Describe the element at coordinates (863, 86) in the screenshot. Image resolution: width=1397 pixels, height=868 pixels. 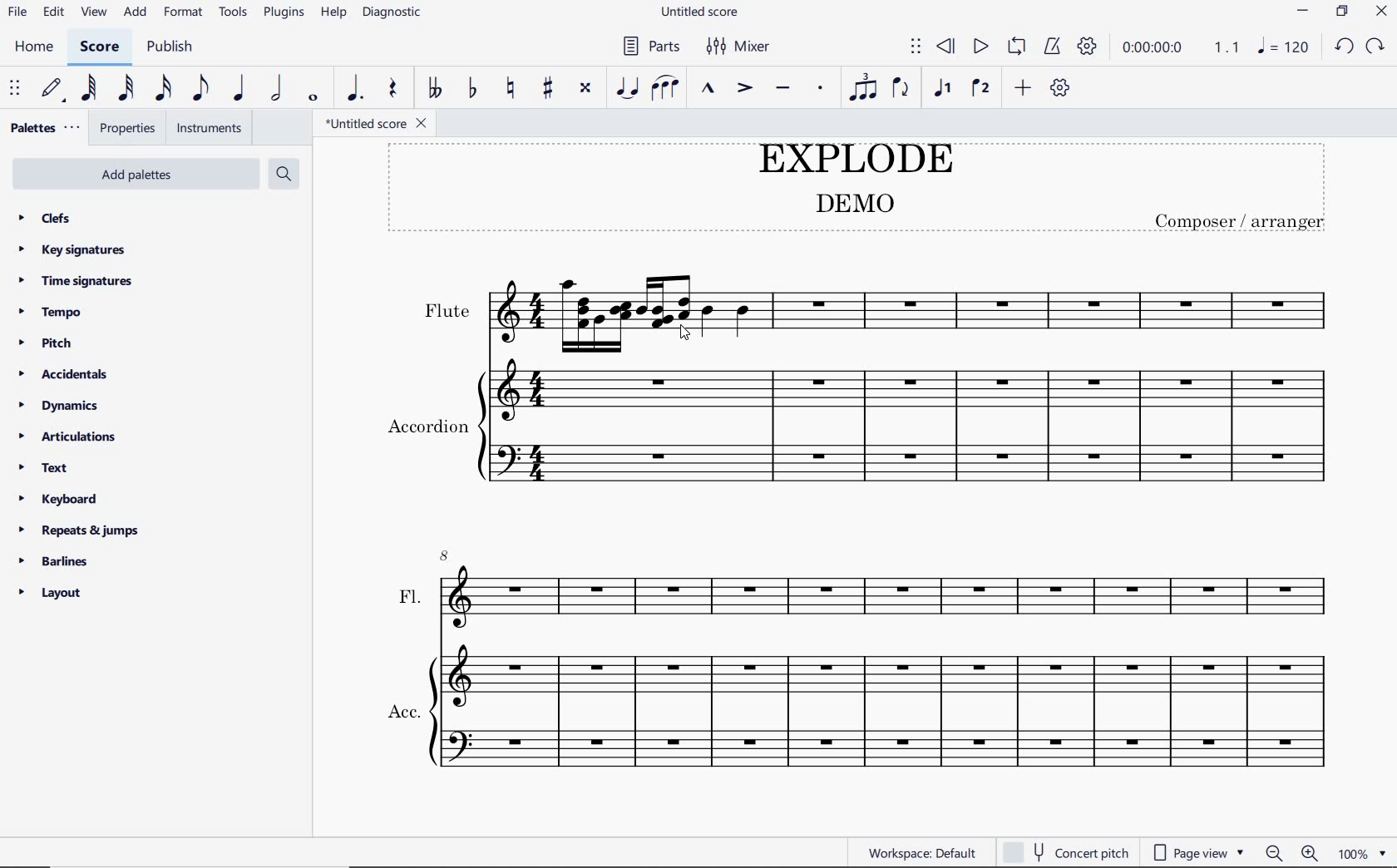
I see `tuplet` at that location.